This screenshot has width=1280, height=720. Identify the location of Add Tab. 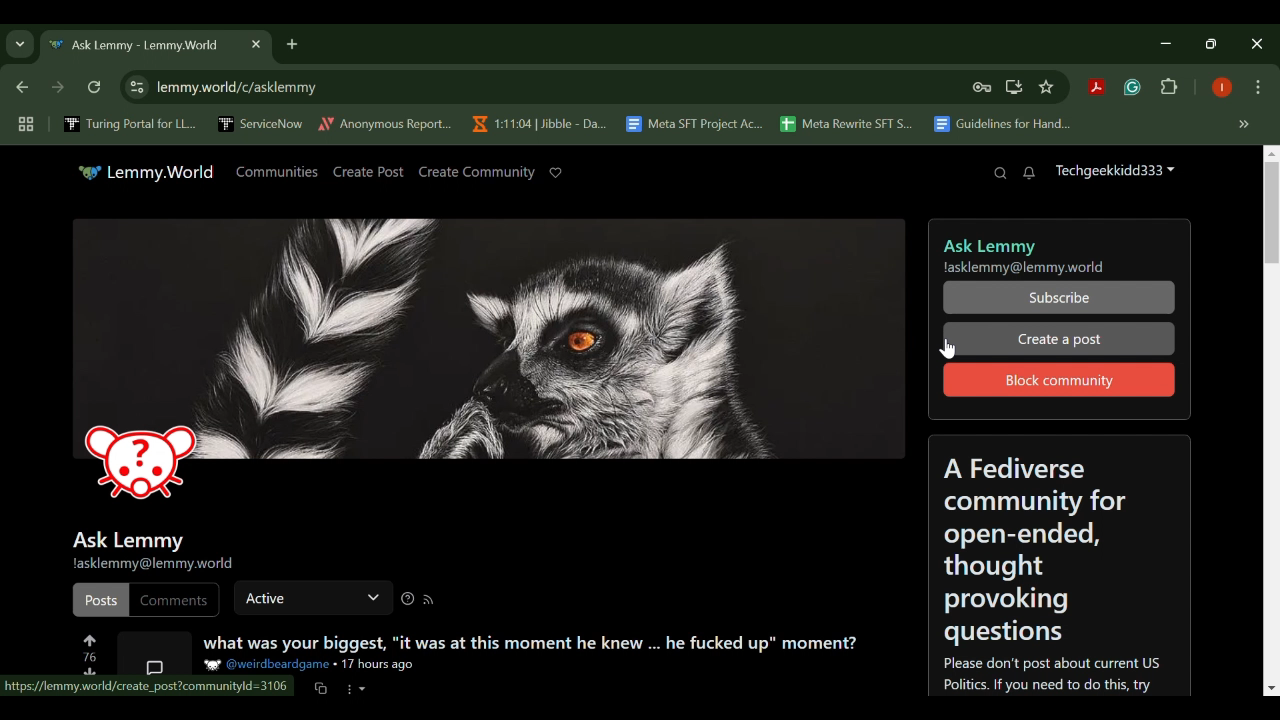
(291, 43).